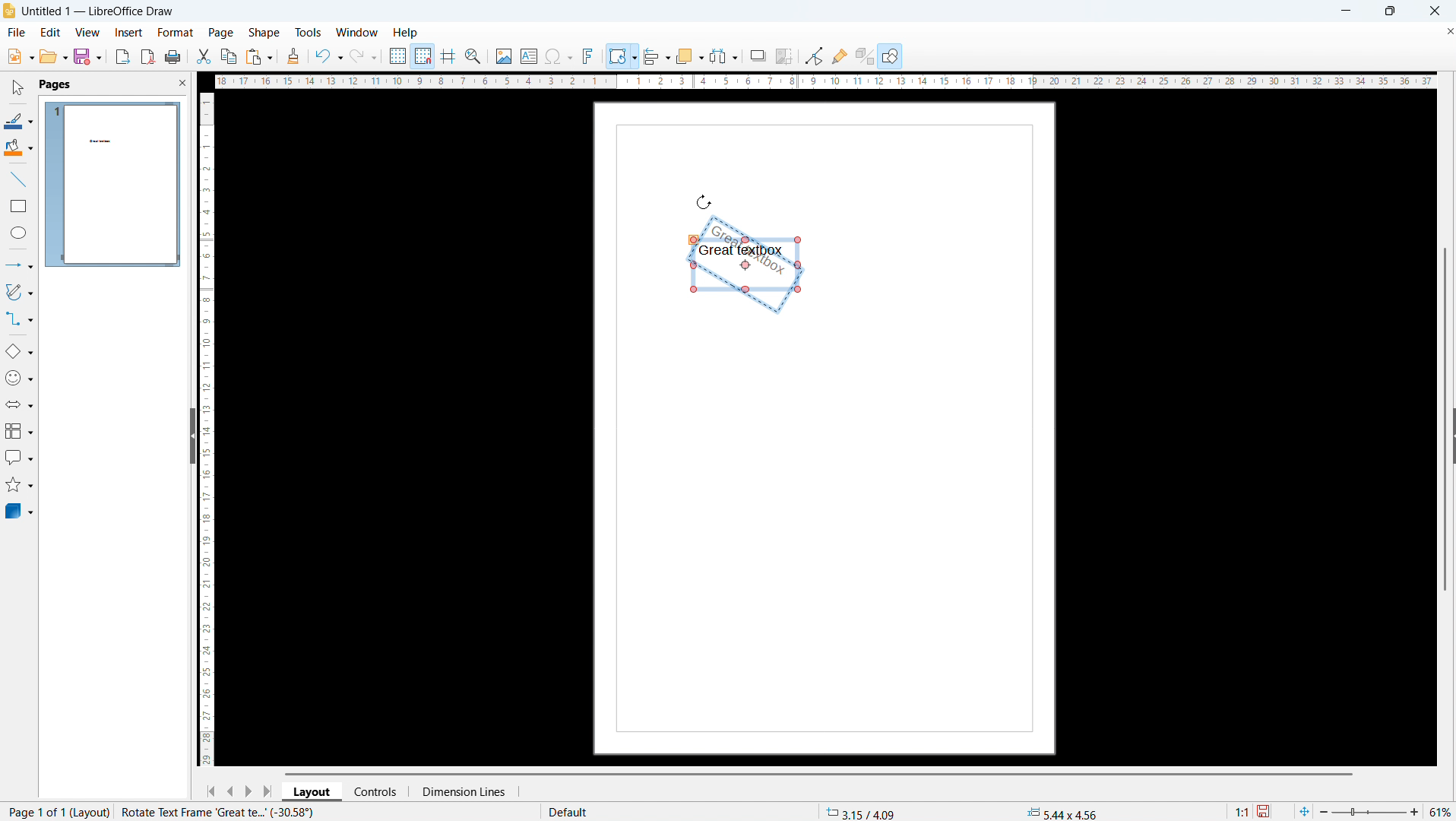  I want to click on default page style, so click(566, 812).